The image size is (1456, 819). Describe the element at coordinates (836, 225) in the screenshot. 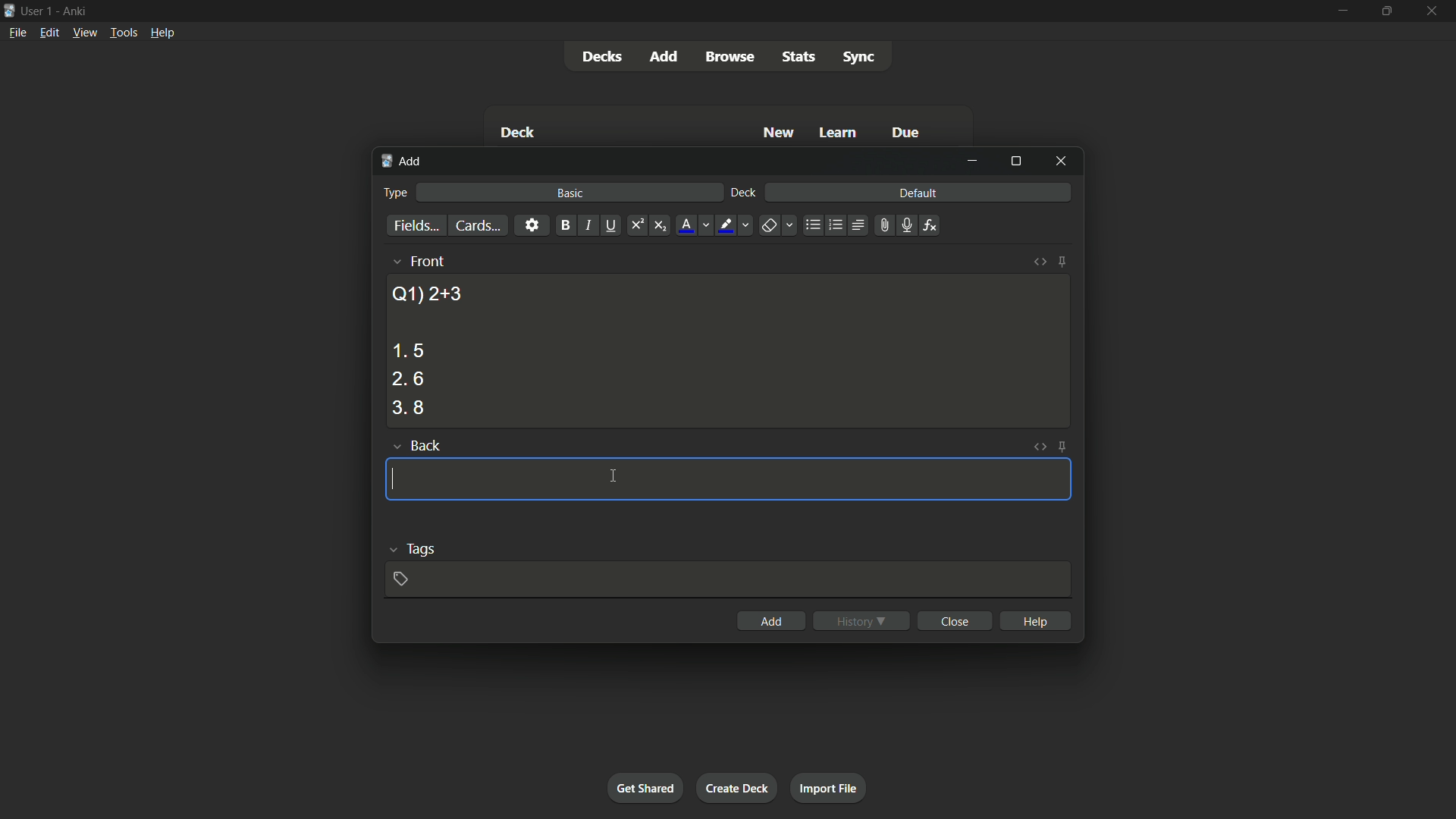

I see `ordered list` at that location.